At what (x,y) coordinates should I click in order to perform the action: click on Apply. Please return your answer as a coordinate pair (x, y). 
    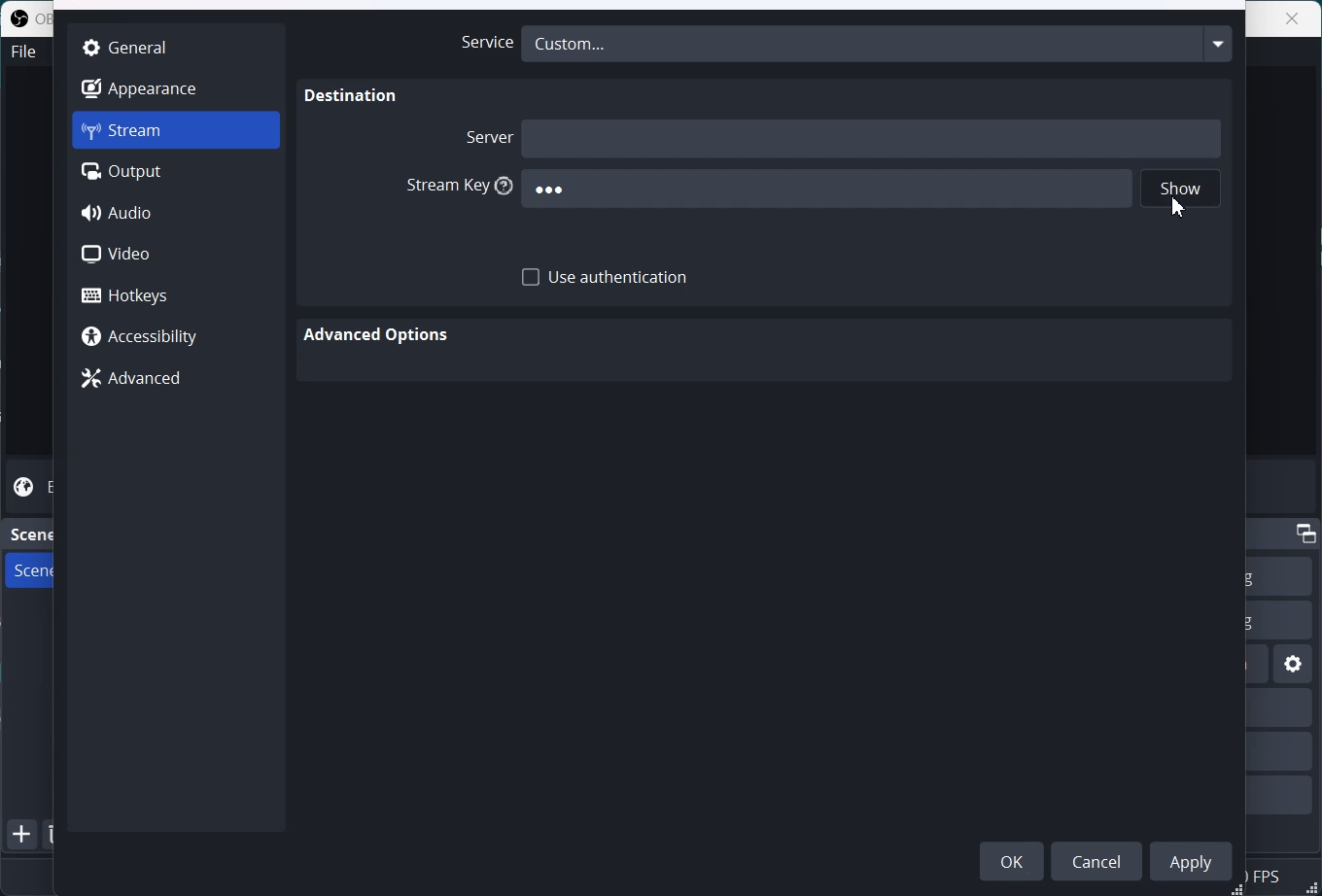
    Looking at the image, I should click on (1195, 860).